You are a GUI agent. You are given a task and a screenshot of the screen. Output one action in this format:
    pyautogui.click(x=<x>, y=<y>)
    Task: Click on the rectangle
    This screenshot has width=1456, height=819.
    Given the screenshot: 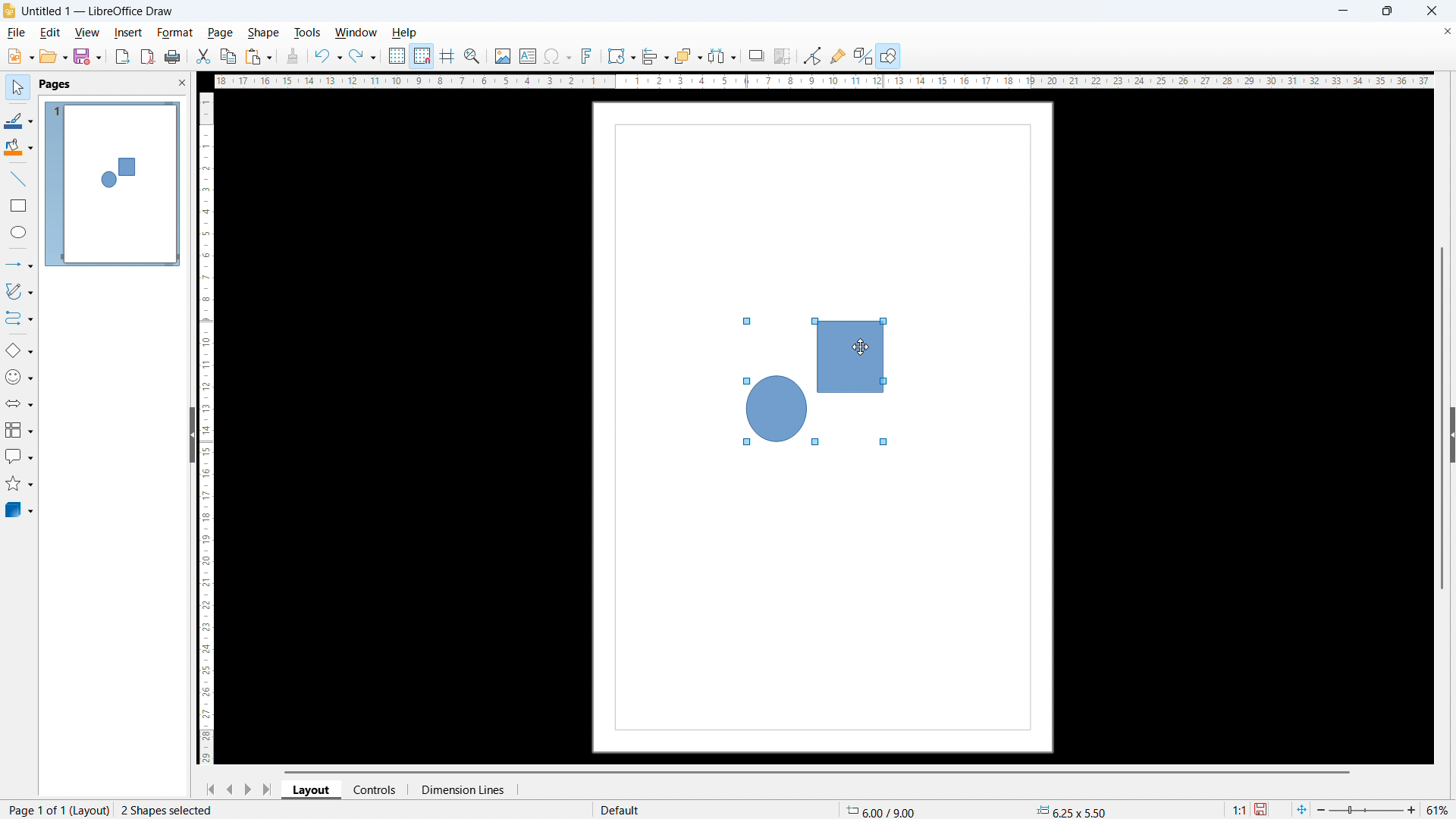 What is the action you would take?
    pyautogui.click(x=18, y=205)
    